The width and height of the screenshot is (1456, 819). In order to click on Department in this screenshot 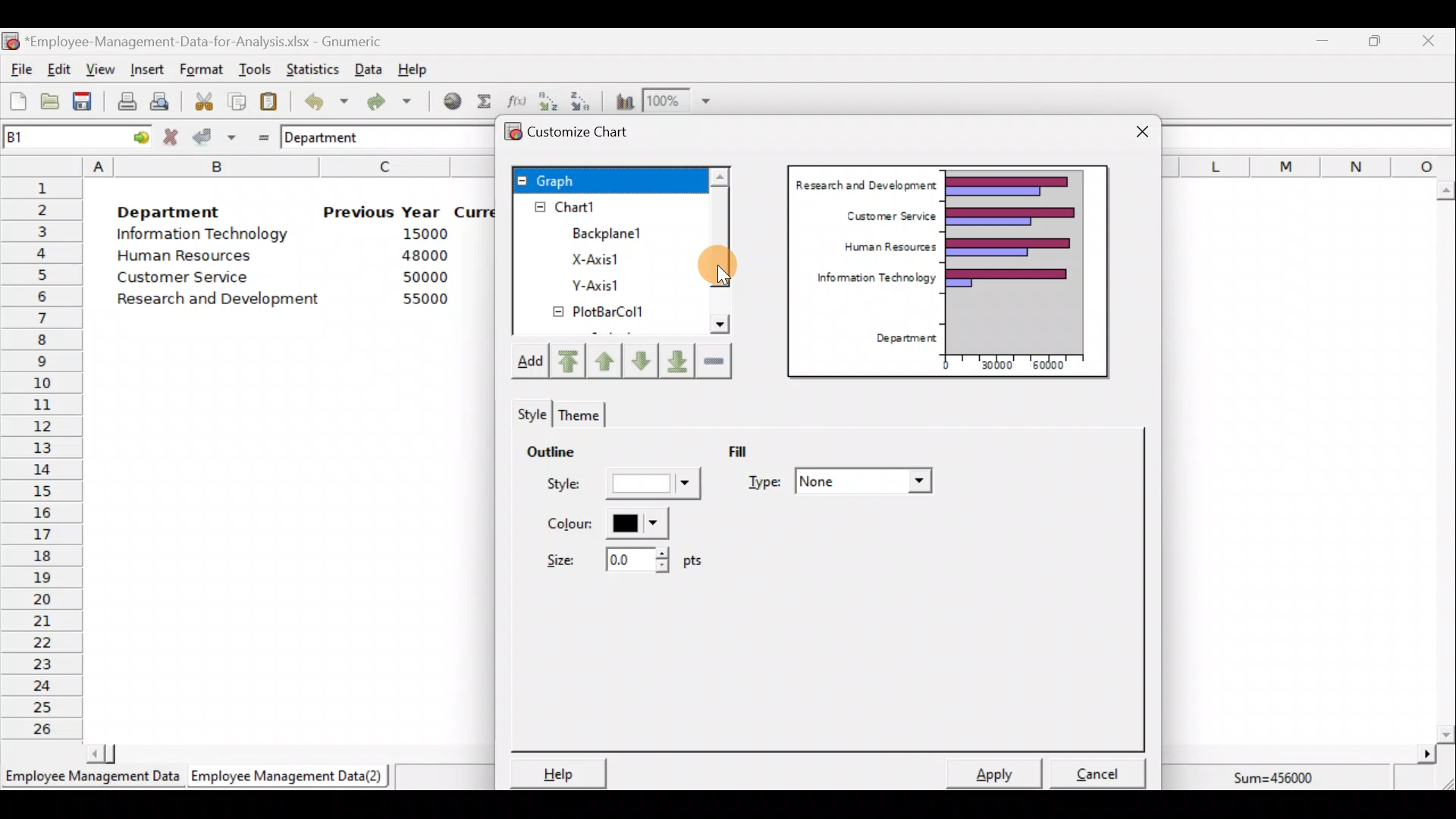, I will do `click(331, 136)`.